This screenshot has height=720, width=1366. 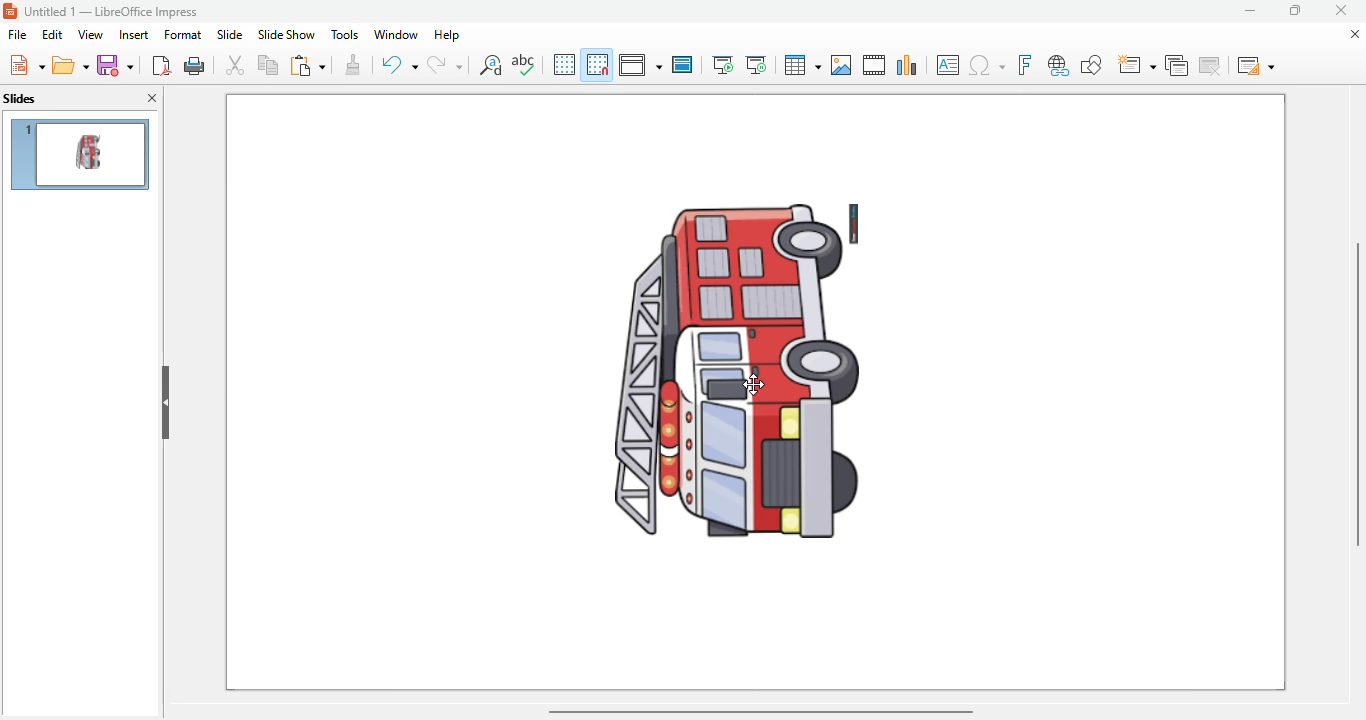 What do you see at coordinates (307, 64) in the screenshot?
I see `paste` at bounding box center [307, 64].